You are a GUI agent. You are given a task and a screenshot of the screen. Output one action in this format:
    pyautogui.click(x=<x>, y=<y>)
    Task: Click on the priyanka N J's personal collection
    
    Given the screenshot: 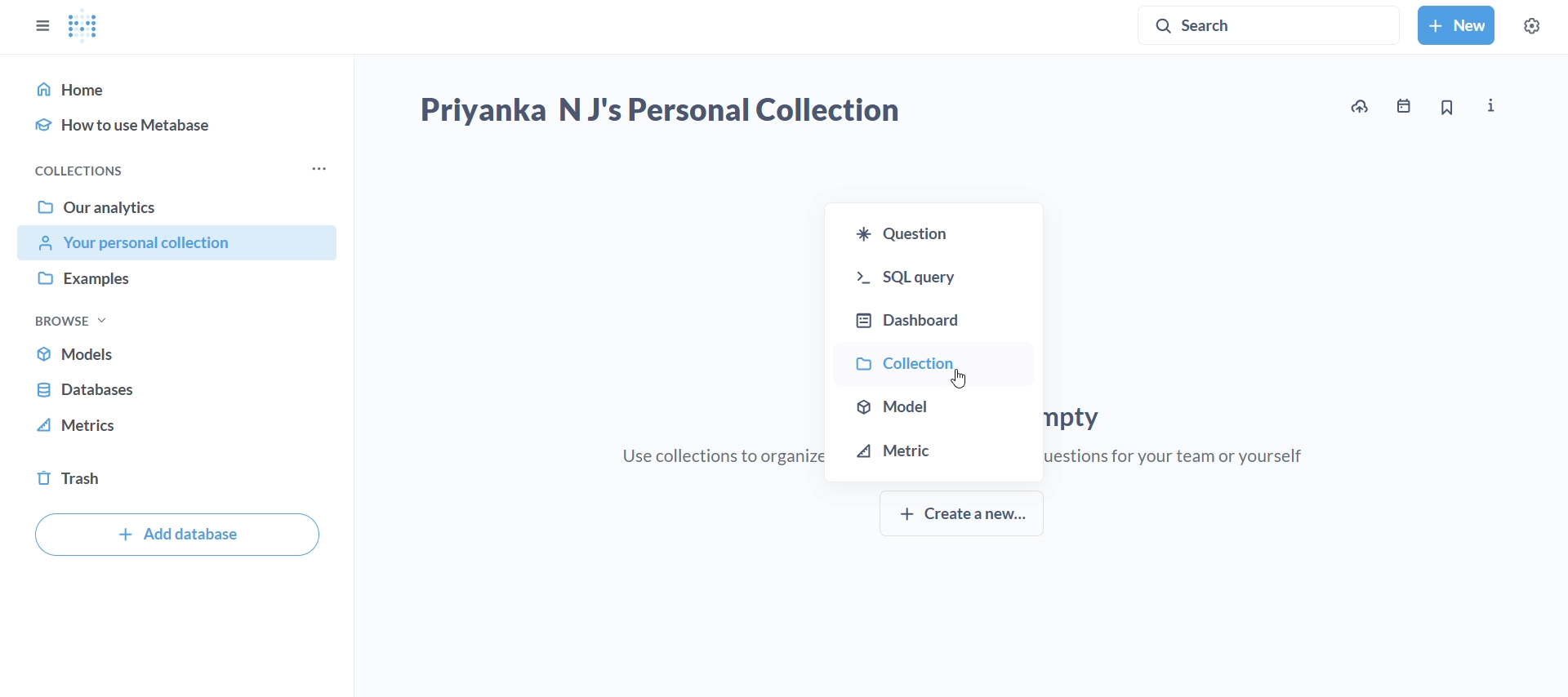 What is the action you would take?
    pyautogui.click(x=658, y=112)
    